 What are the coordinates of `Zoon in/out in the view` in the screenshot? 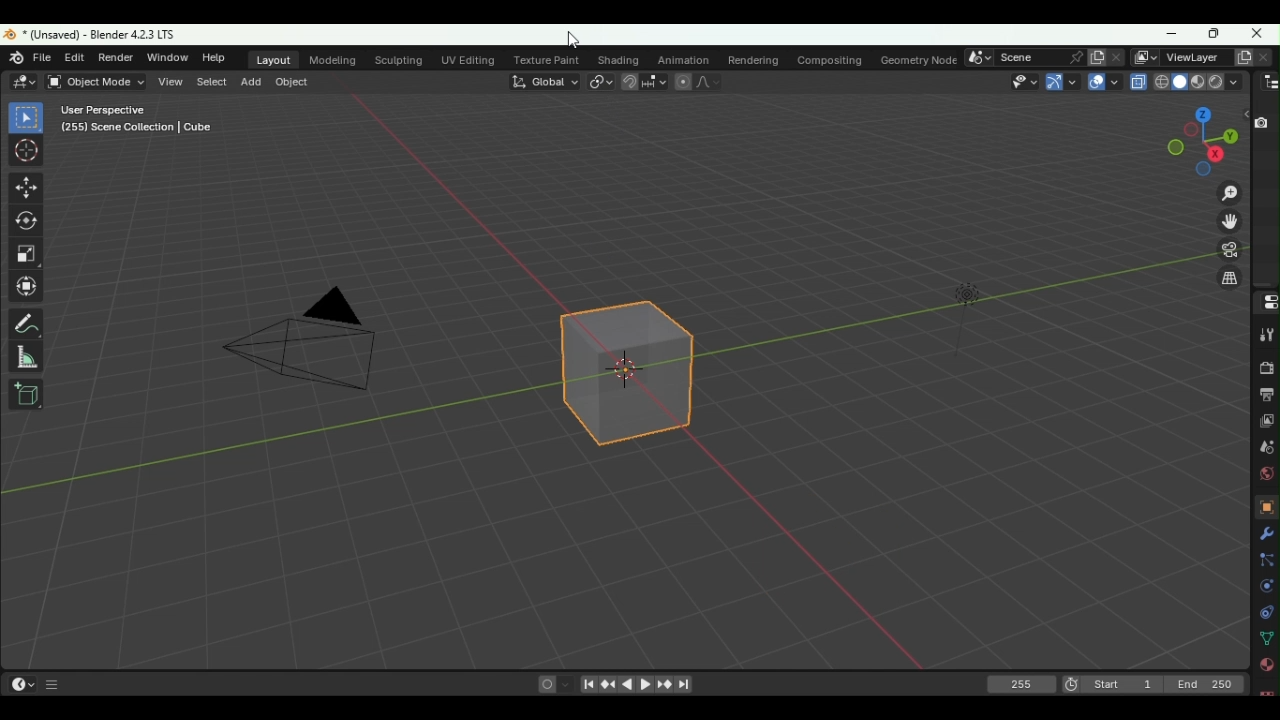 It's located at (1225, 193).